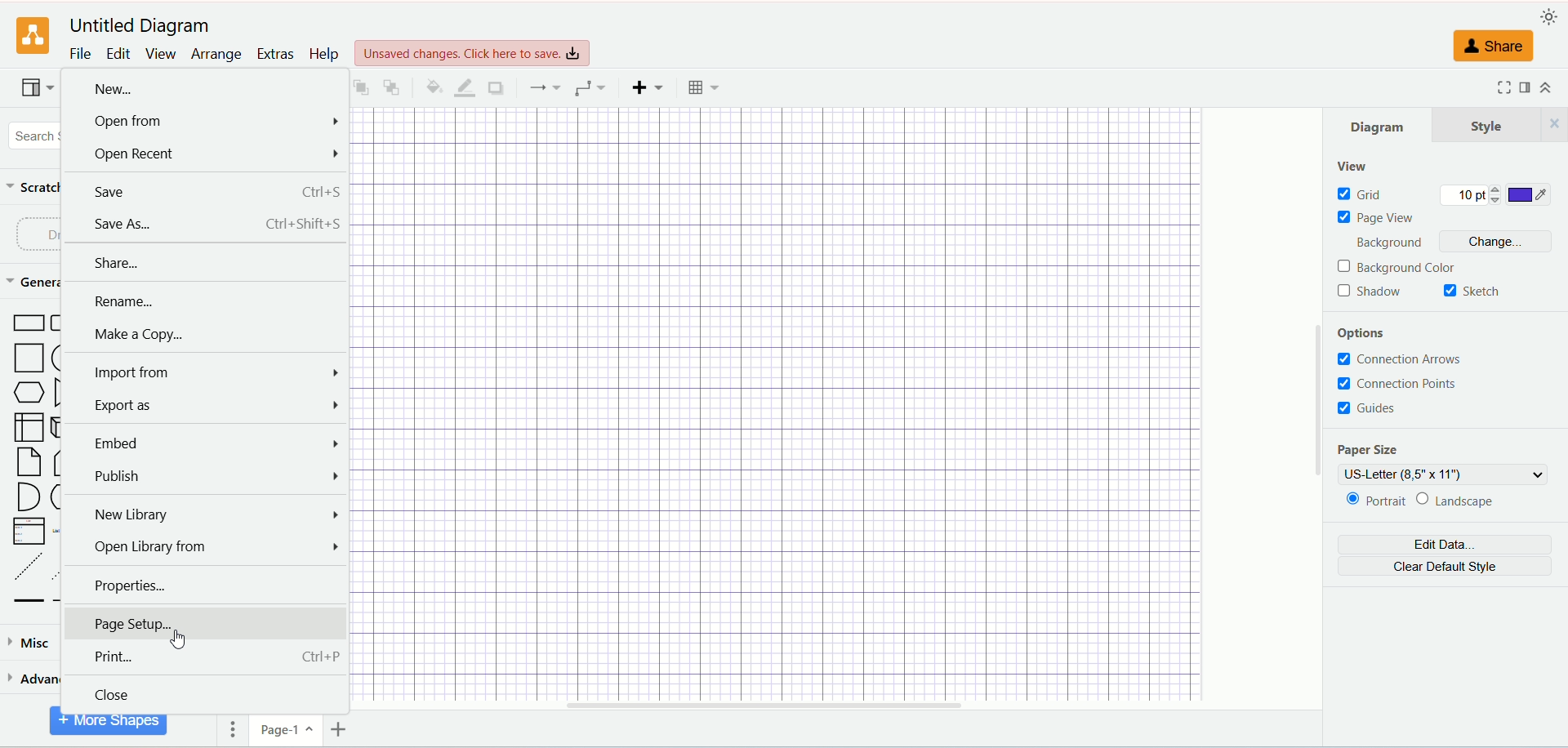 The width and height of the screenshot is (1568, 748). I want to click on Internal Document, so click(29, 426).